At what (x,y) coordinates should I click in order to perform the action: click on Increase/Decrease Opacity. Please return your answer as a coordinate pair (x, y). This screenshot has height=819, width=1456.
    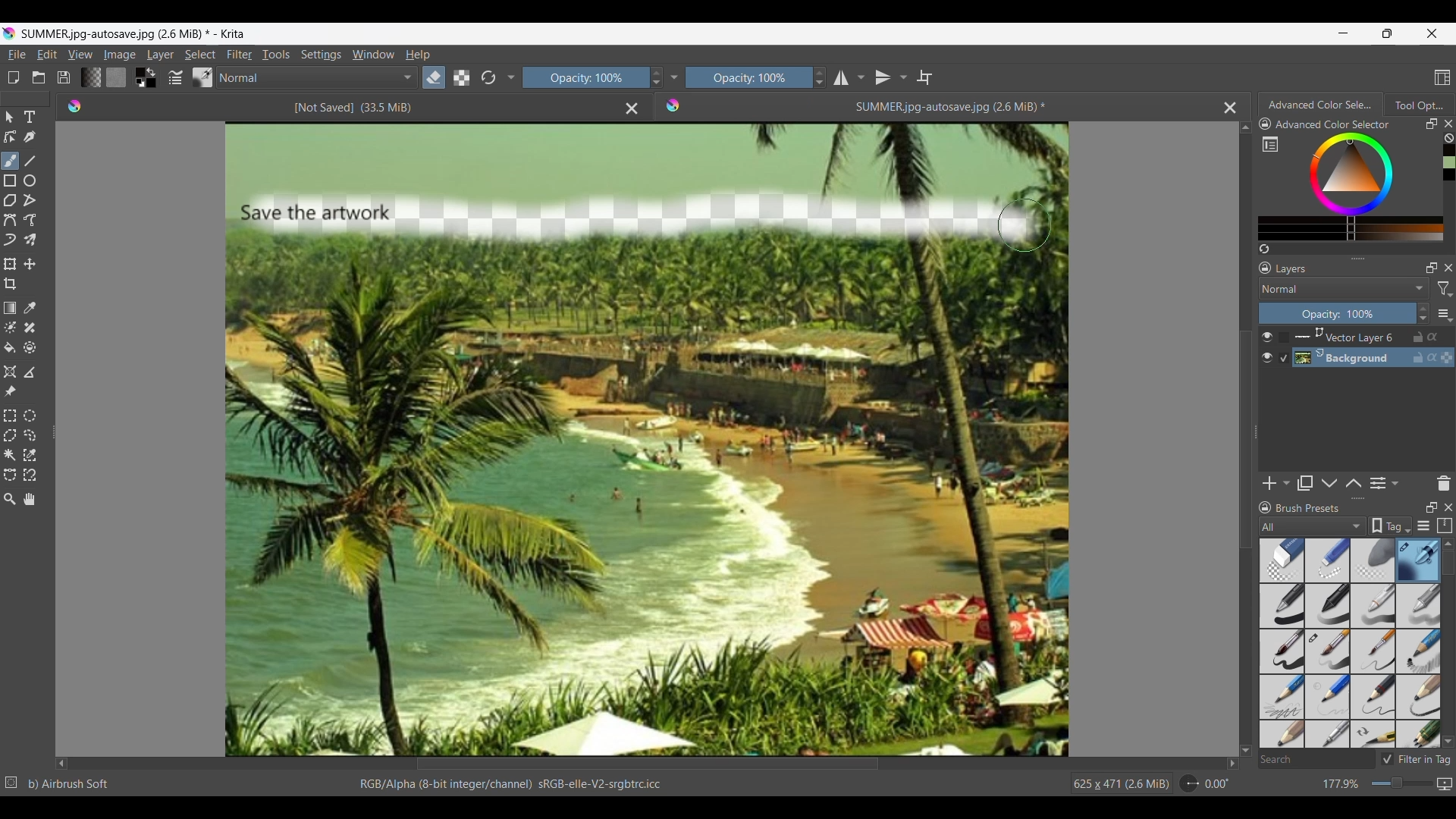
    Looking at the image, I should click on (654, 78).